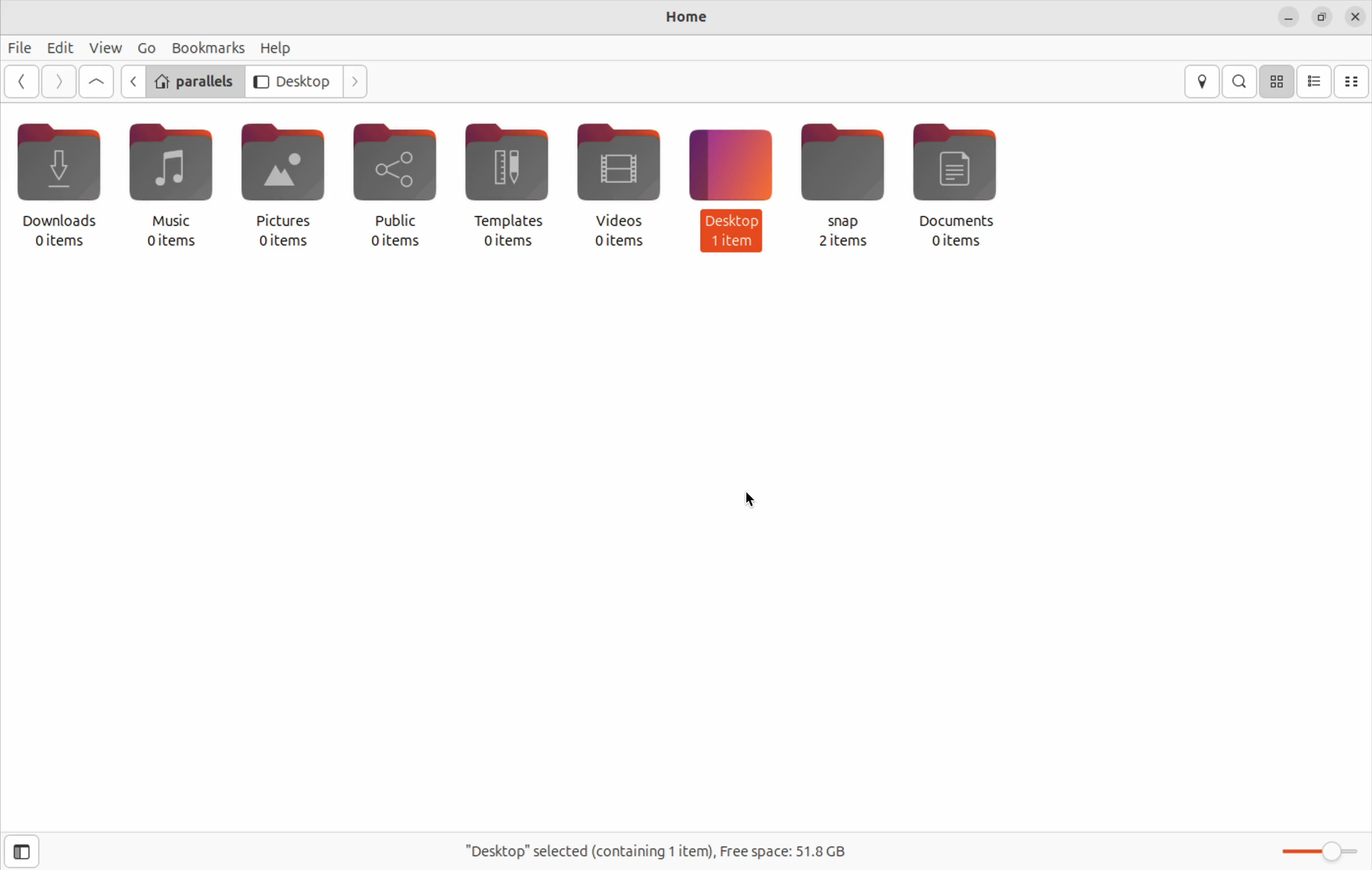 This screenshot has height=870, width=1372. What do you see at coordinates (752, 499) in the screenshot?
I see `cursor` at bounding box center [752, 499].